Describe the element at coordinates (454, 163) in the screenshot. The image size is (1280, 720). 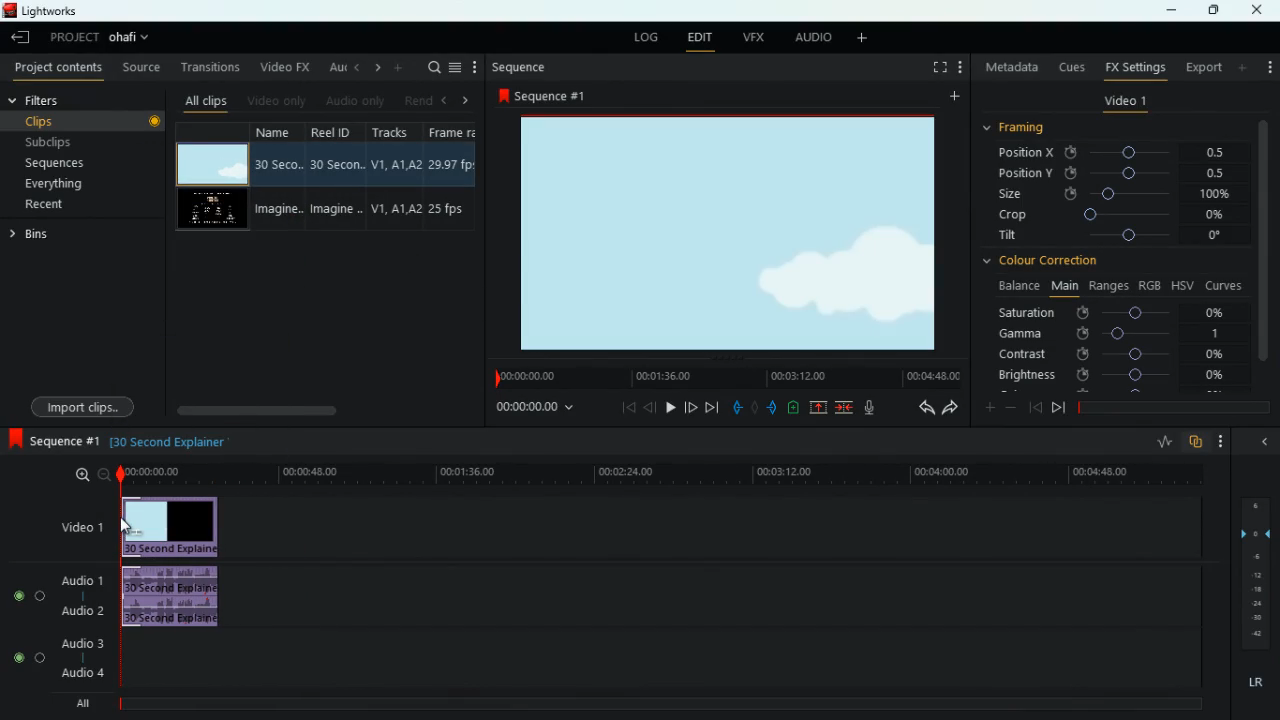
I see `29.97 fbs` at that location.